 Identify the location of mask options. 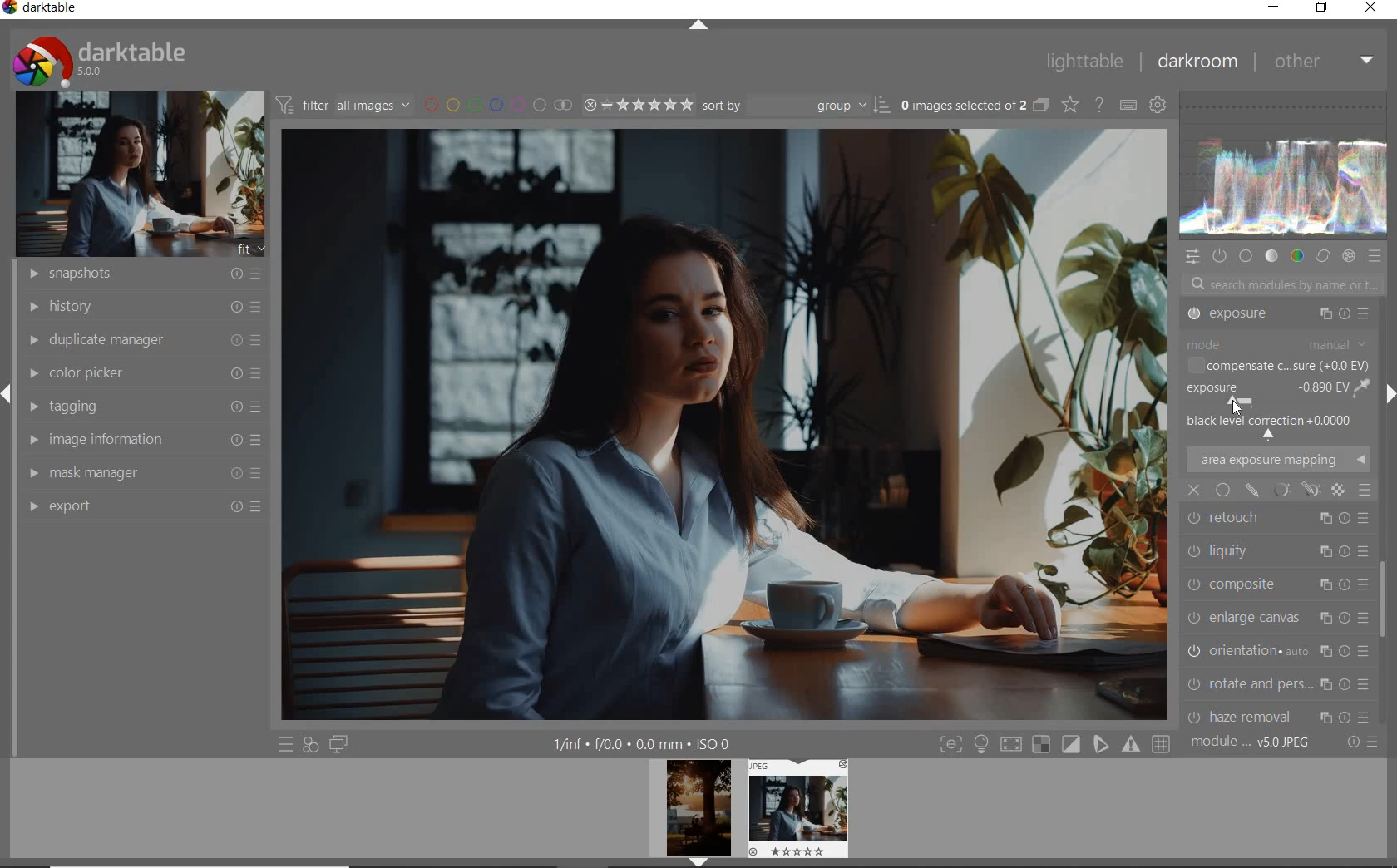
(1294, 489).